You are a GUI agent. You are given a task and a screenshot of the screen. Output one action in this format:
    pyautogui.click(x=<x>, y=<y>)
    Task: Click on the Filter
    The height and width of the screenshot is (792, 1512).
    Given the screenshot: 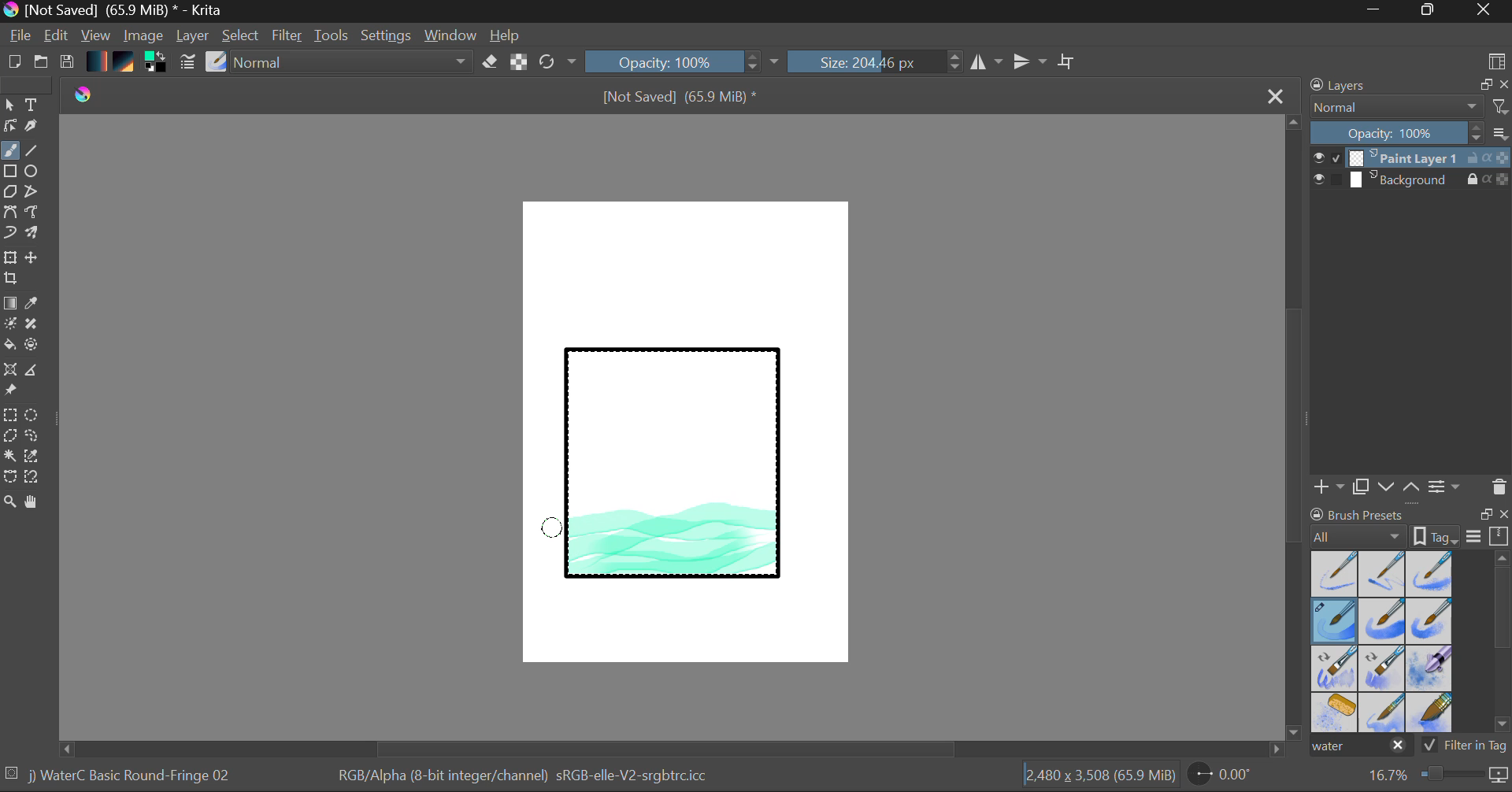 What is the action you would take?
    pyautogui.click(x=289, y=38)
    